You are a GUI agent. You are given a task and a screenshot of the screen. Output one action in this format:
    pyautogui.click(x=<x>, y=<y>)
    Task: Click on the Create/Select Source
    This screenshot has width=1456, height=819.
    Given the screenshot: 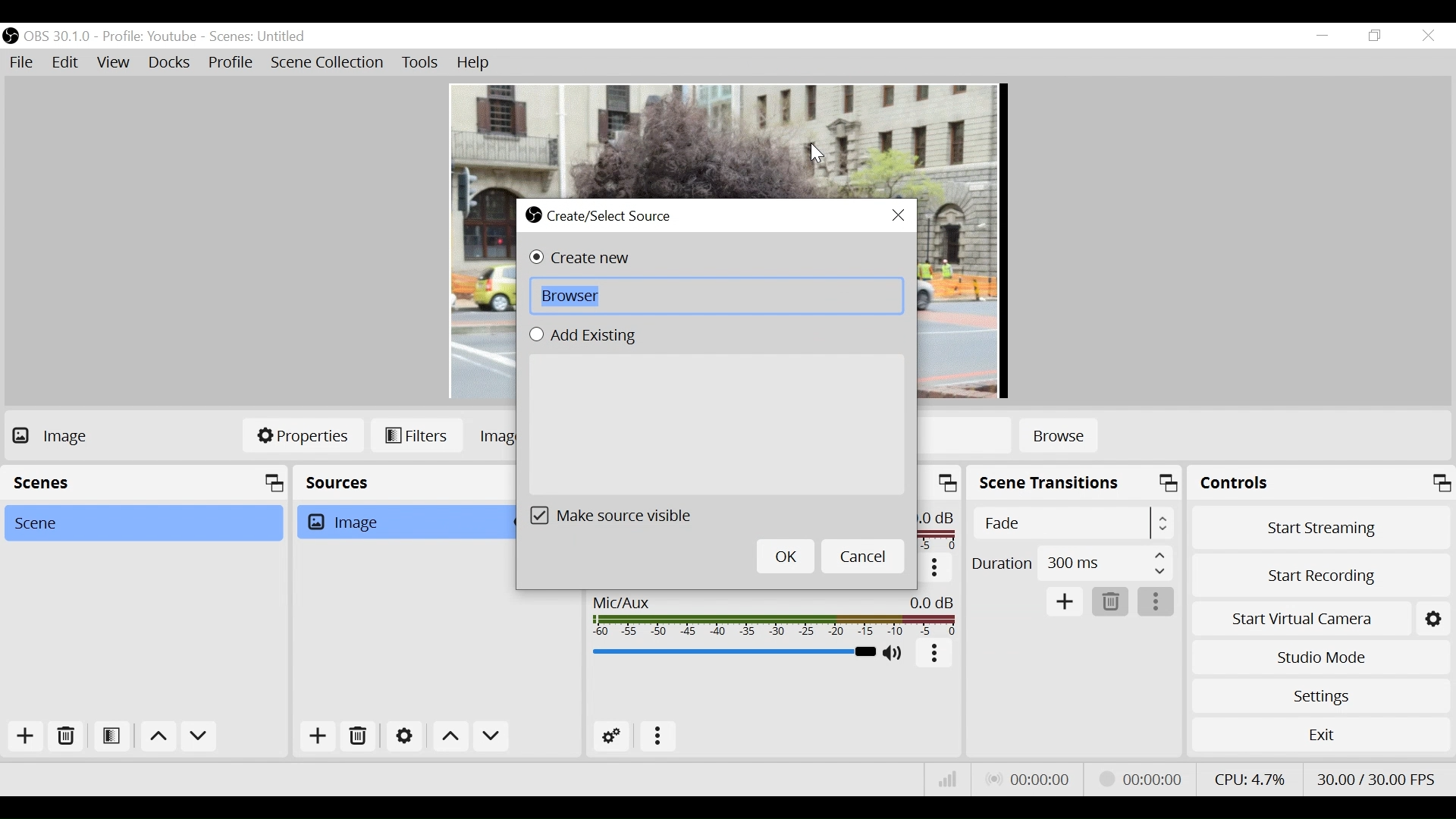 What is the action you would take?
    pyautogui.click(x=604, y=215)
    